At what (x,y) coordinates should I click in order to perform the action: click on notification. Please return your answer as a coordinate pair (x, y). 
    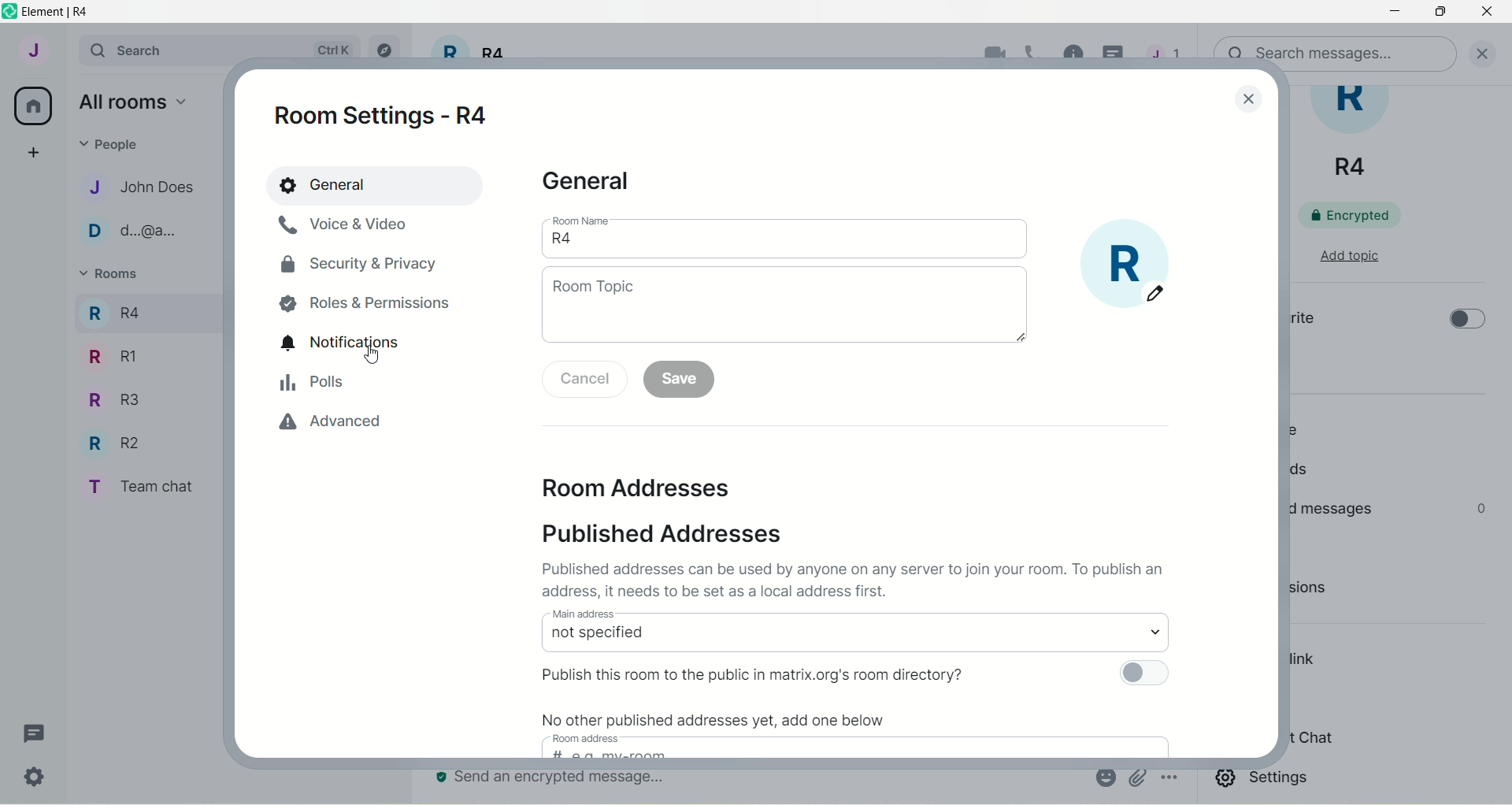
    Looking at the image, I should click on (343, 341).